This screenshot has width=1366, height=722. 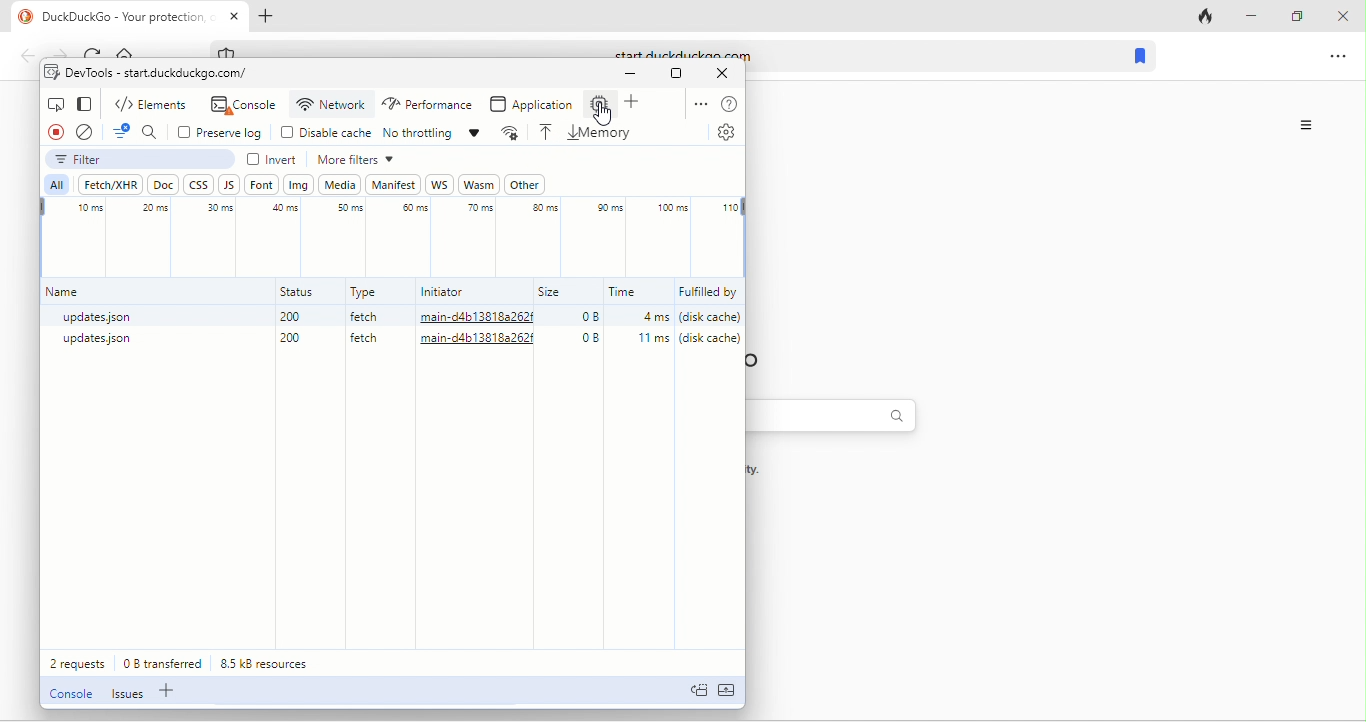 I want to click on 100 ms, so click(x=672, y=211).